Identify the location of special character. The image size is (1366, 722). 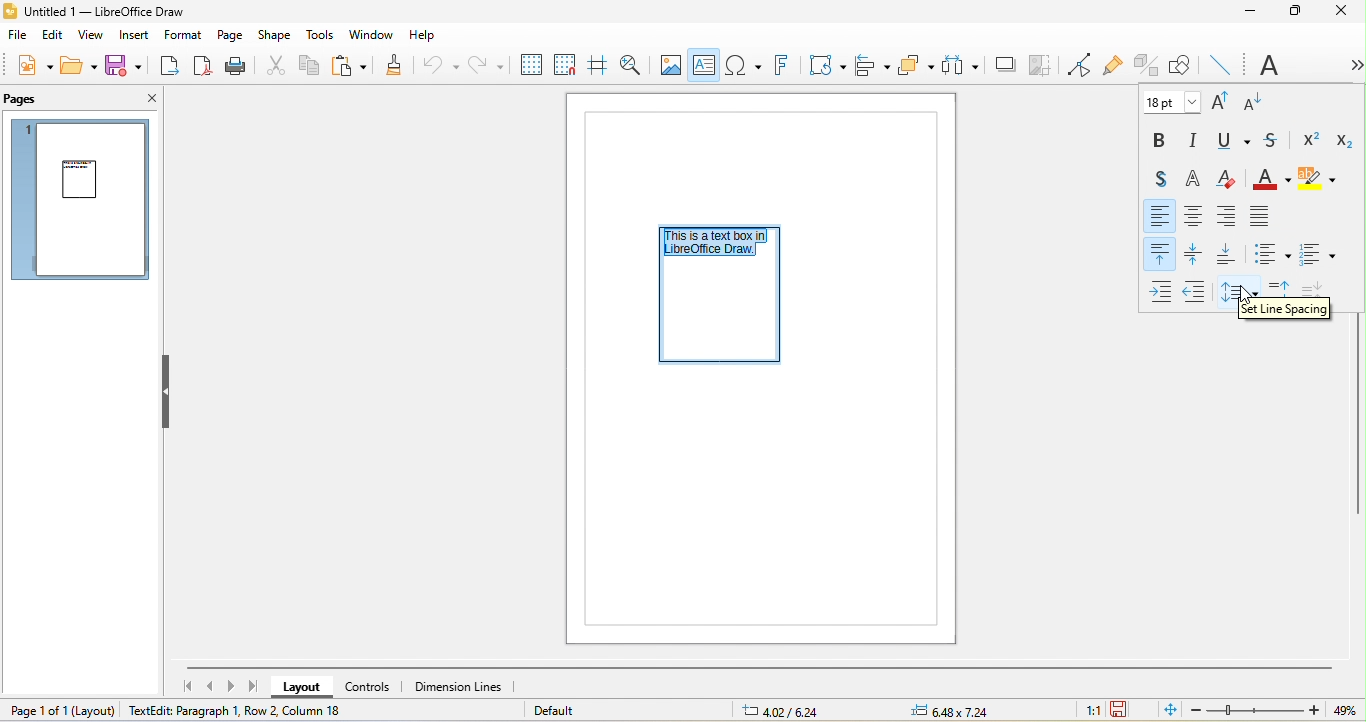
(745, 66).